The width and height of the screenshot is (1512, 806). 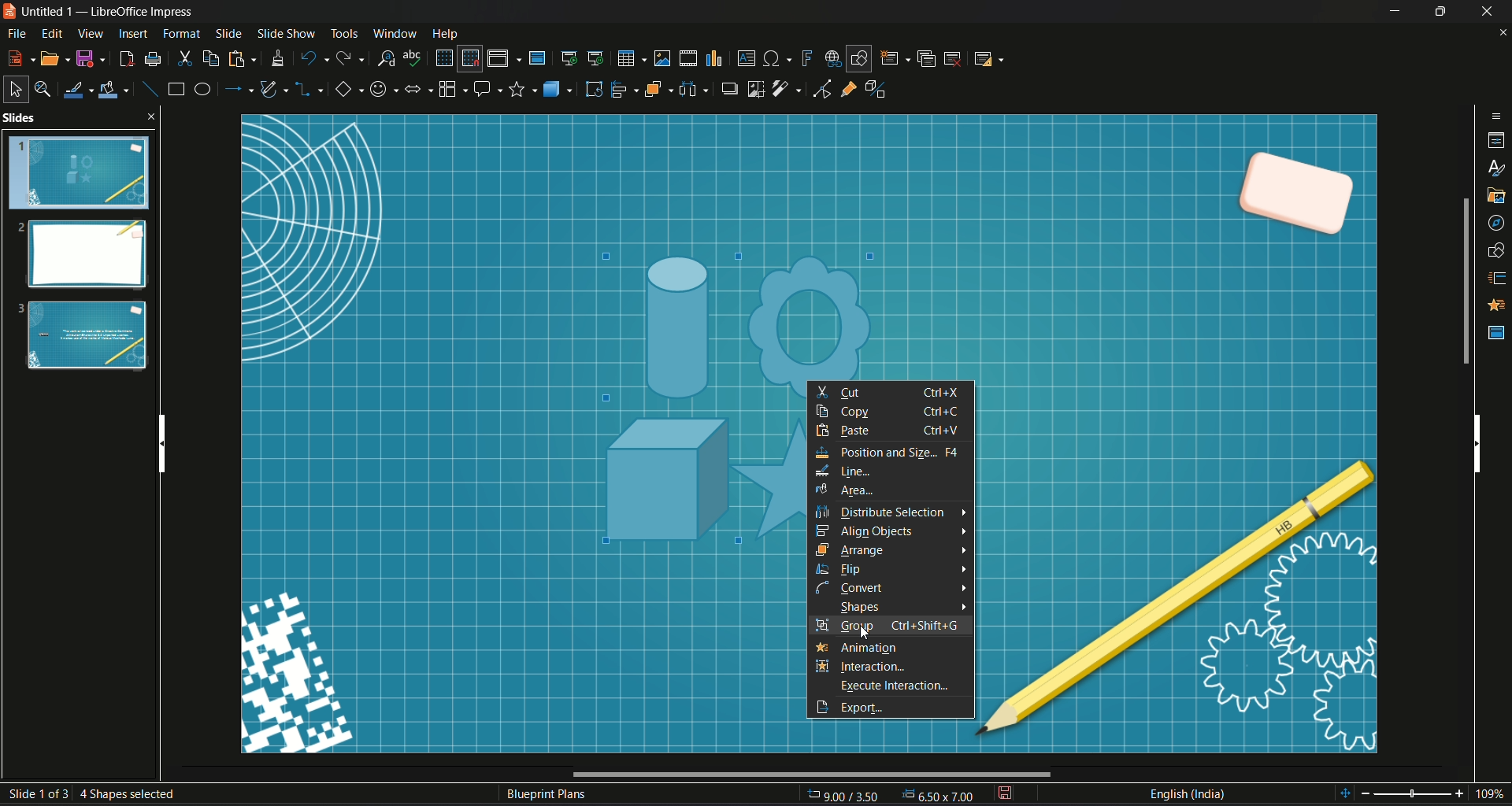 What do you see at coordinates (384, 57) in the screenshot?
I see `find and replace` at bounding box center [384, 57].